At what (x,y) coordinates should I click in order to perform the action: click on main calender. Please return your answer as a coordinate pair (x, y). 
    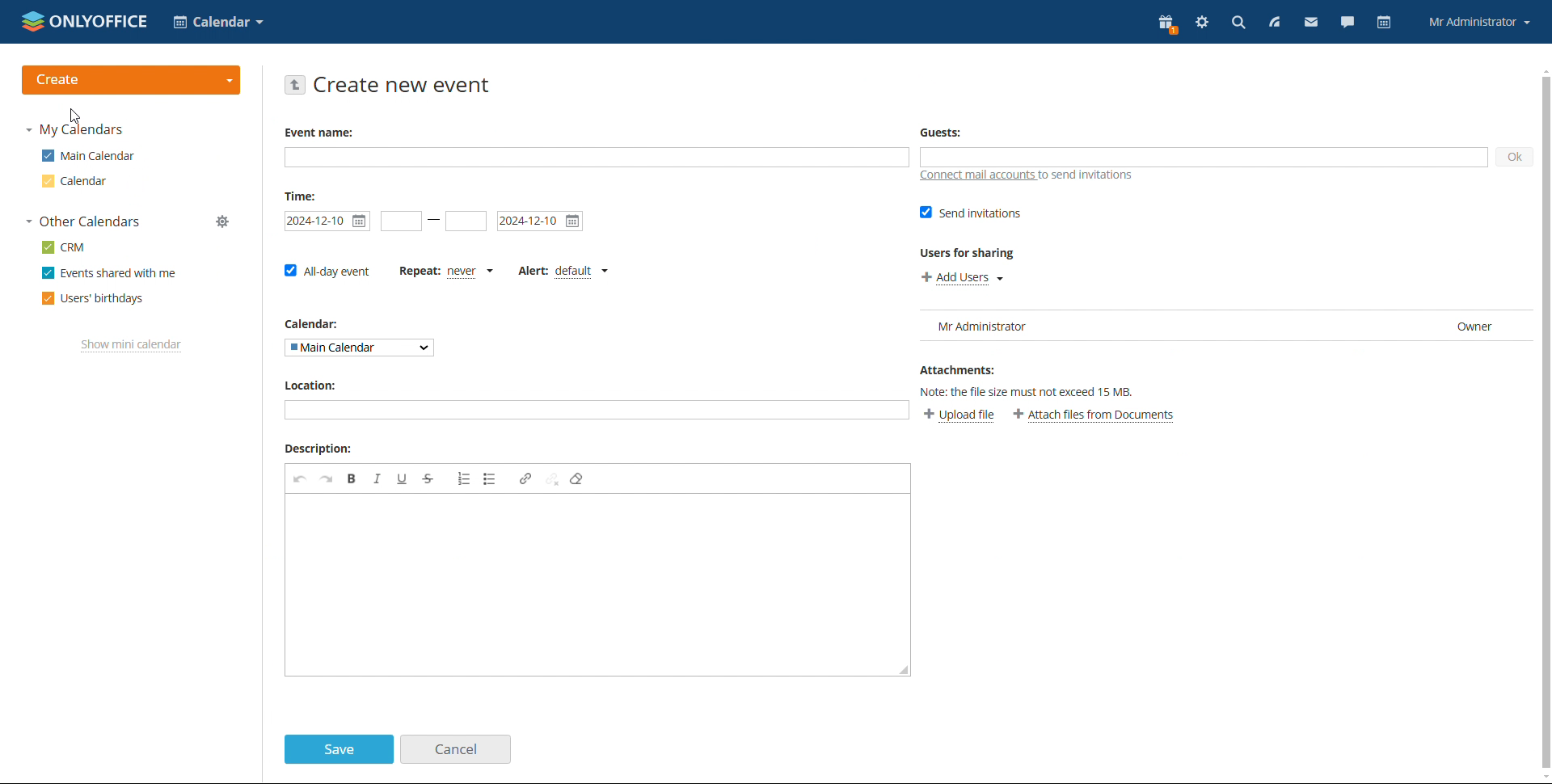
    Looking at the image, I should click on (86, 158).